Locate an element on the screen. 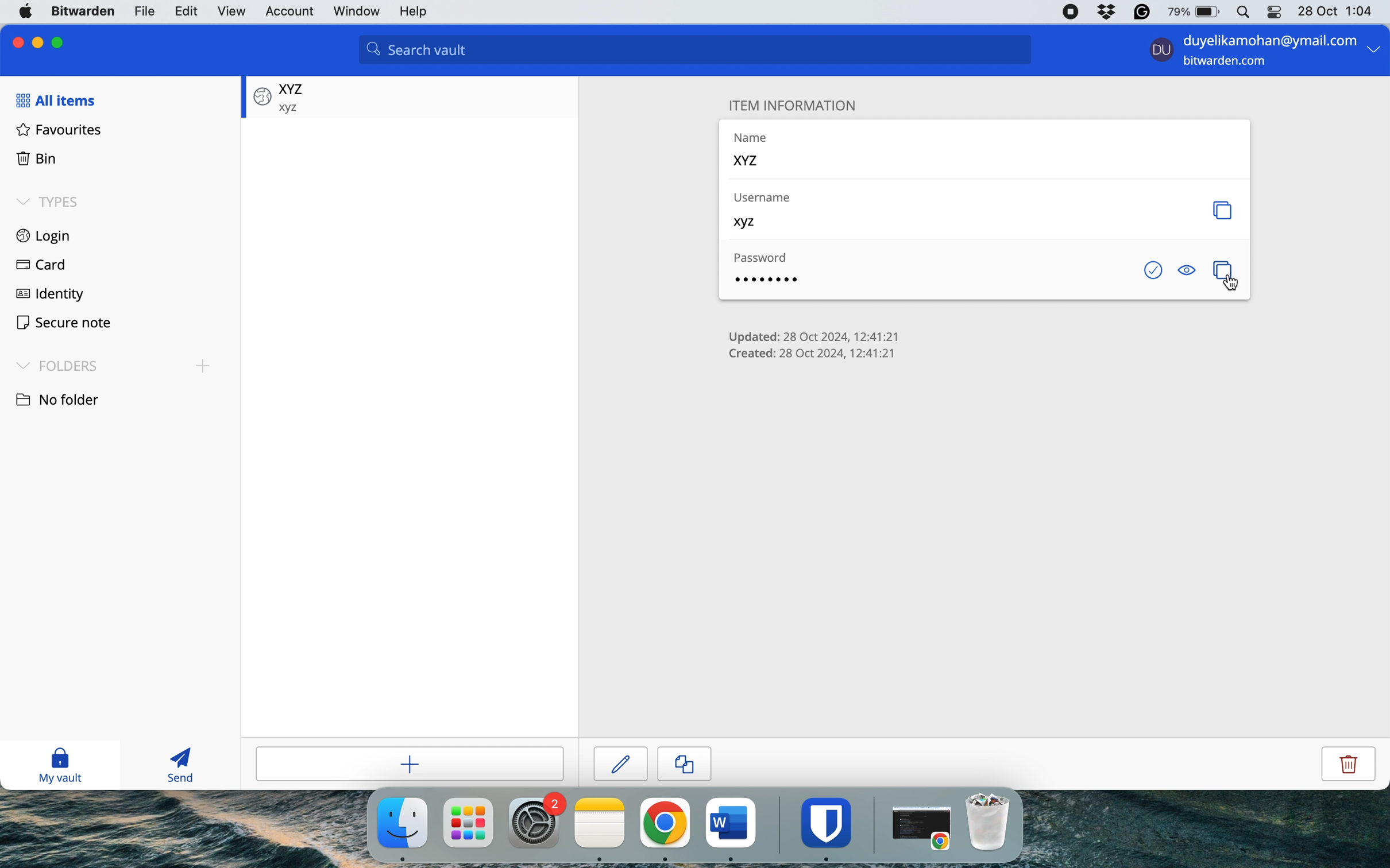 The height and width of the screenshot is (868, 1390). window is located at coordinates (358, 12).